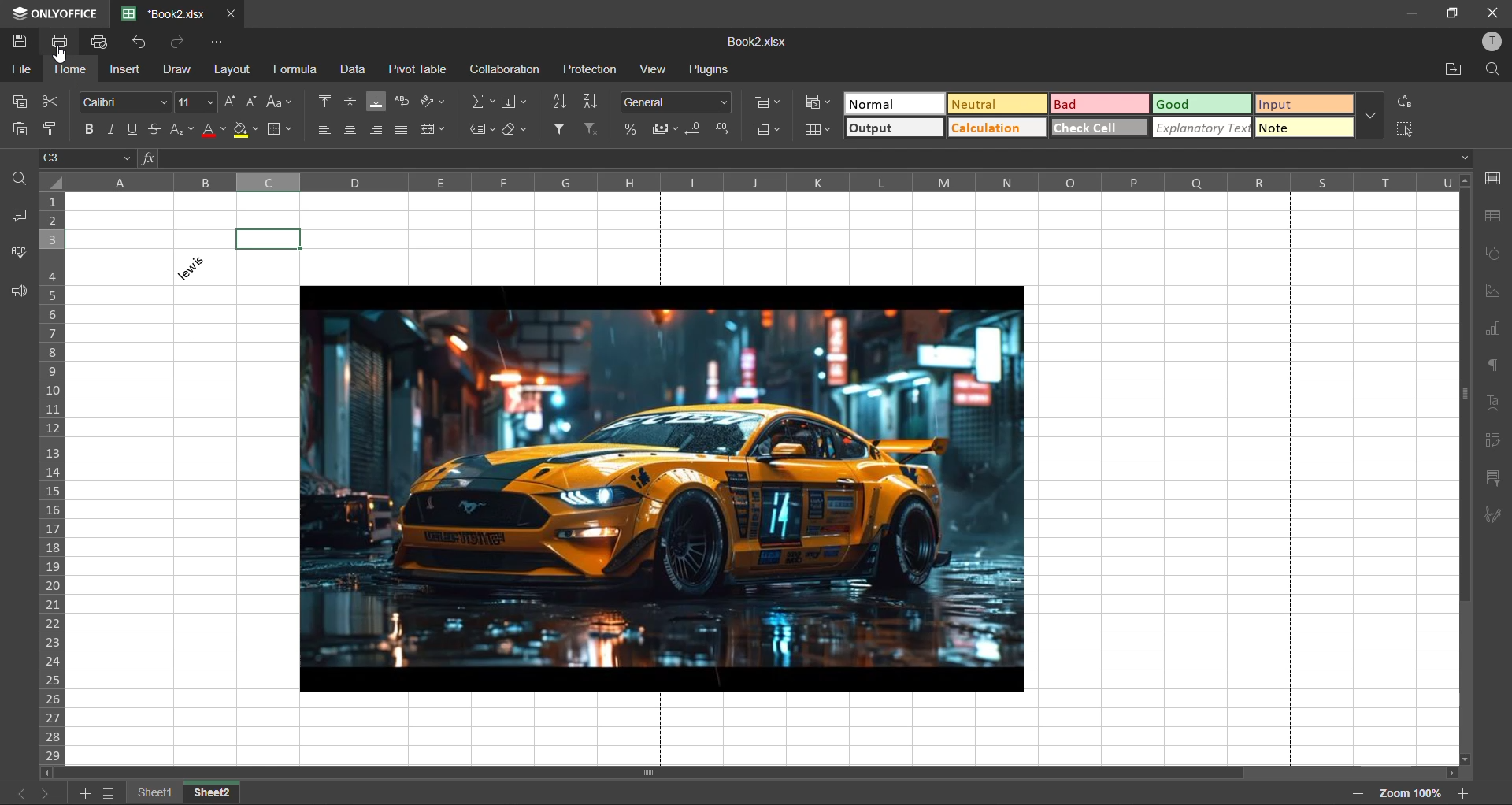 Image resolution: width=1512 pixels, height=805 pixels. I want to click on change case, so click(278, 102).